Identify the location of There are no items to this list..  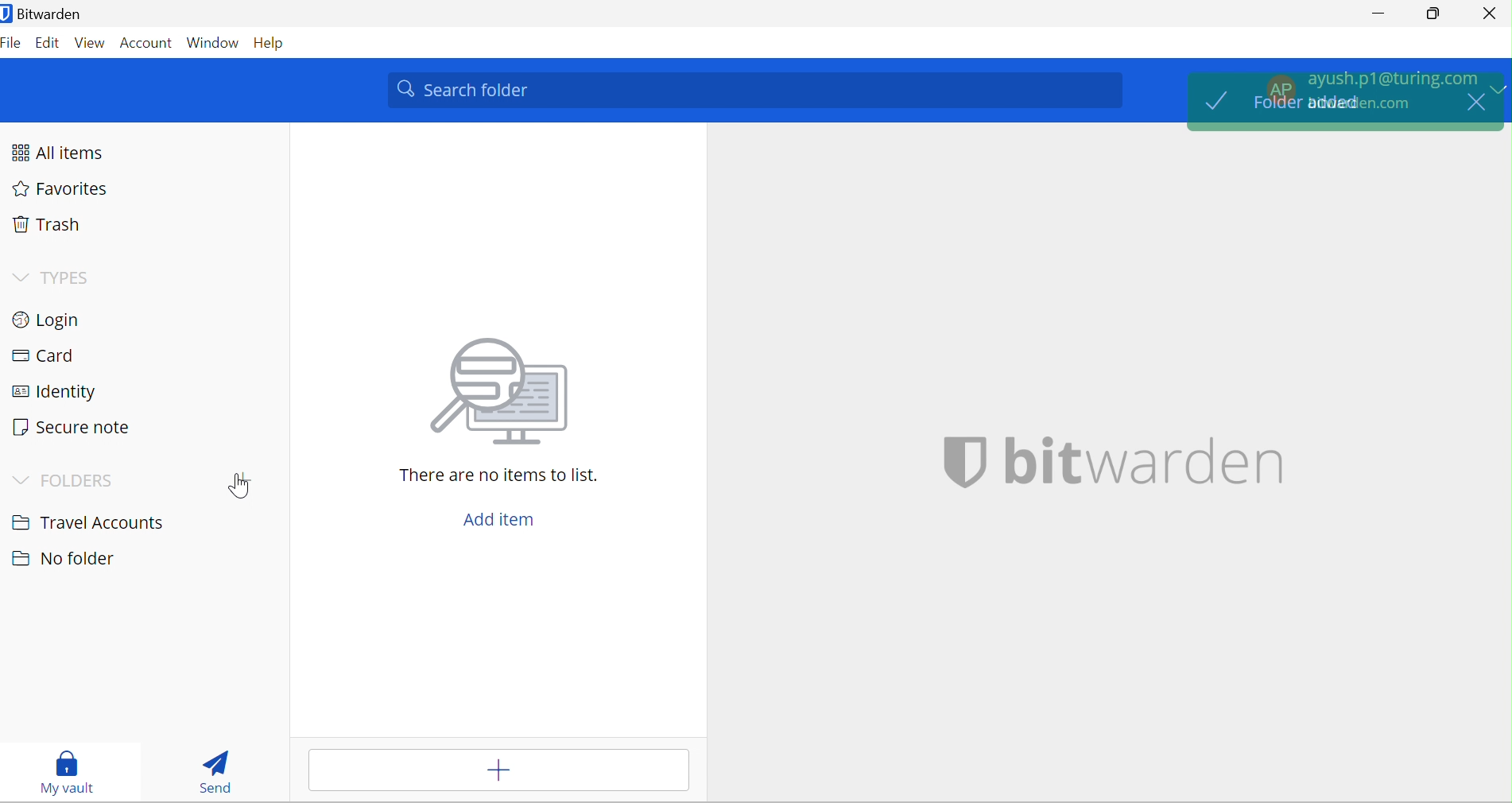
(504, 477).